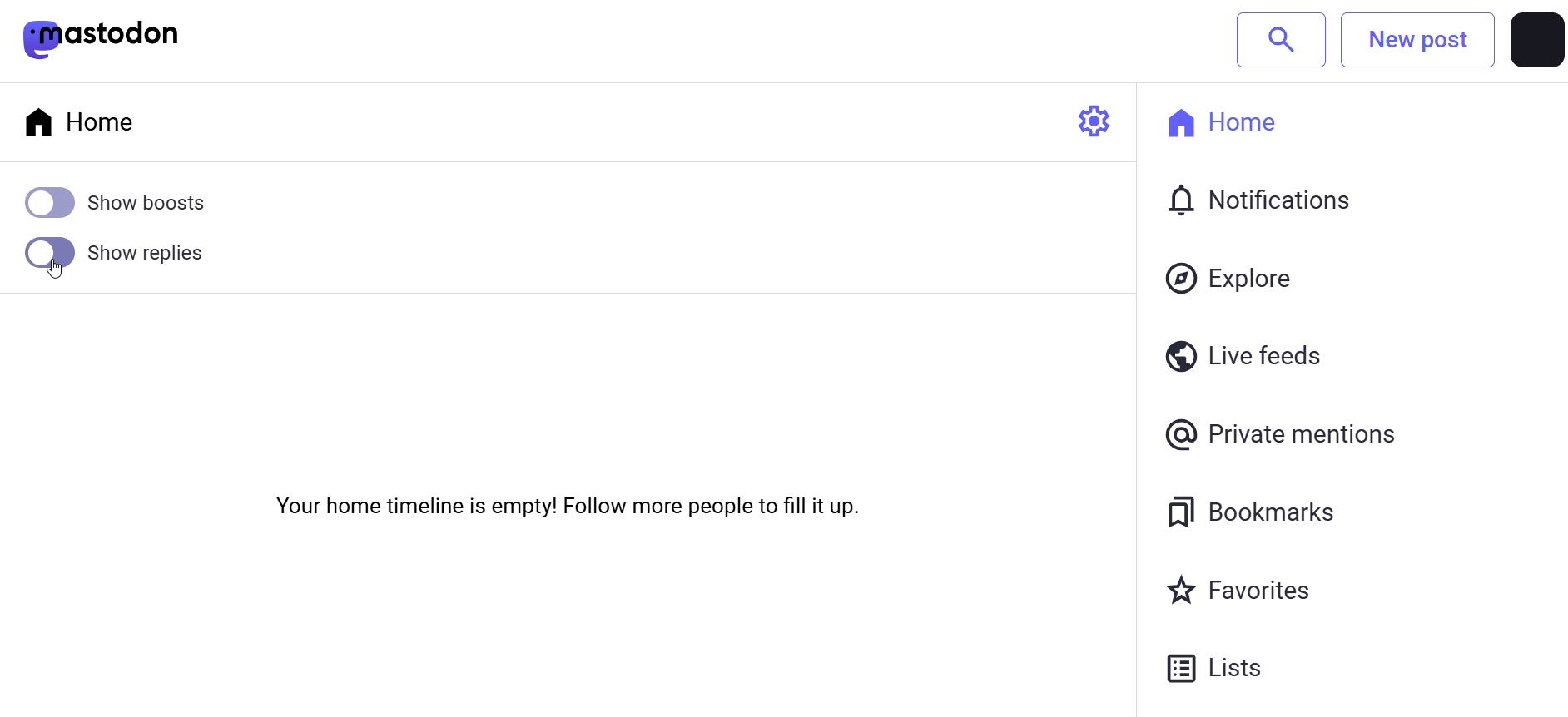 The height and width of the screenshot is (717, 1568). I want to click on bookmarks, so click(1256, 514).